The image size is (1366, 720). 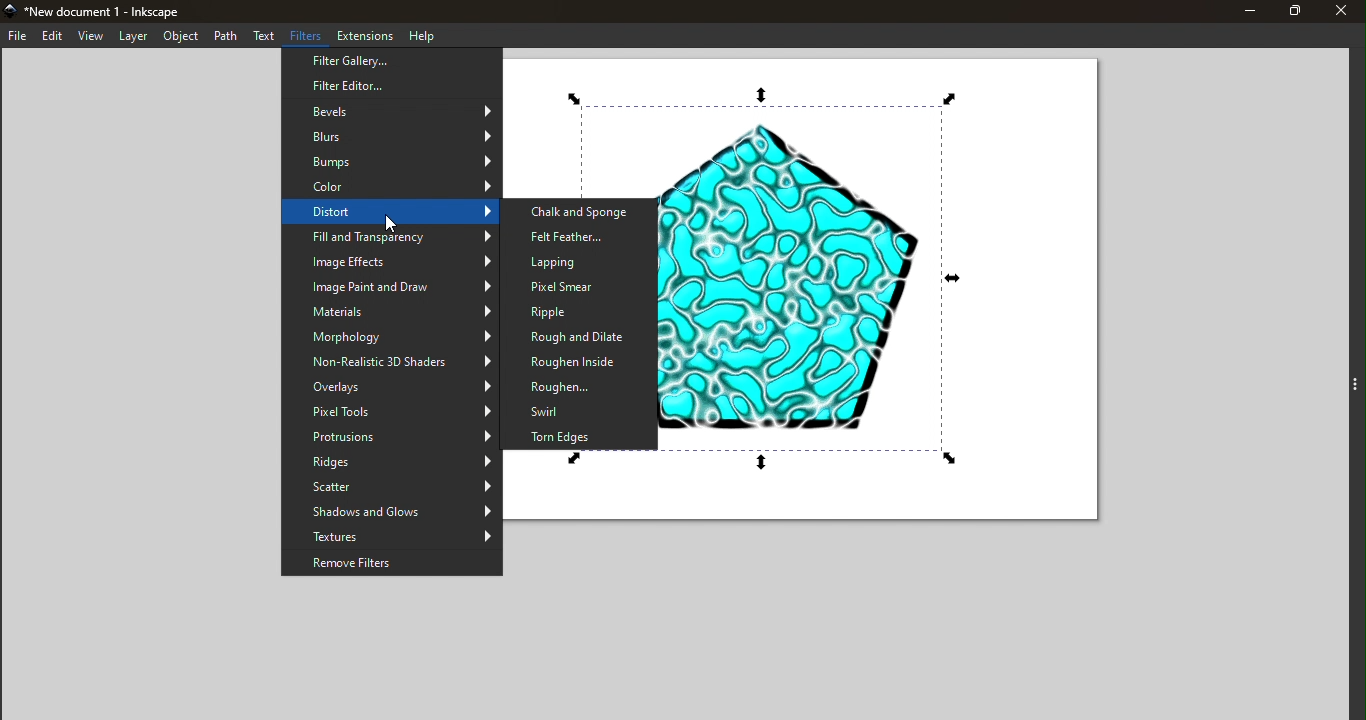 What do you see at coordinates (580, 410) in the screenshot?
I see `Swirl` at bounding box center [580, 410].